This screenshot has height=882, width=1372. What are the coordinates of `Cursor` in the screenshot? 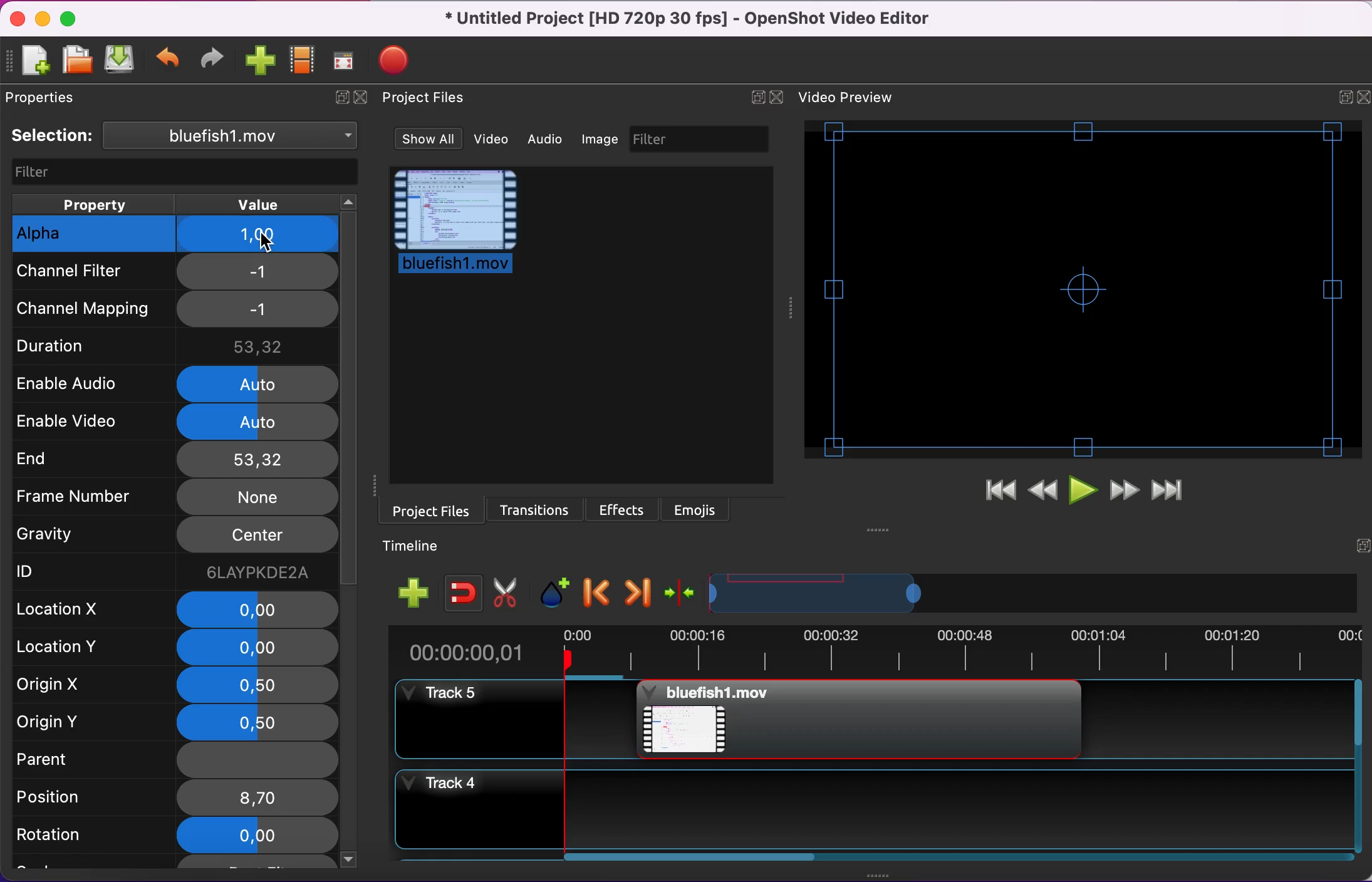 It's located at (266, 241).